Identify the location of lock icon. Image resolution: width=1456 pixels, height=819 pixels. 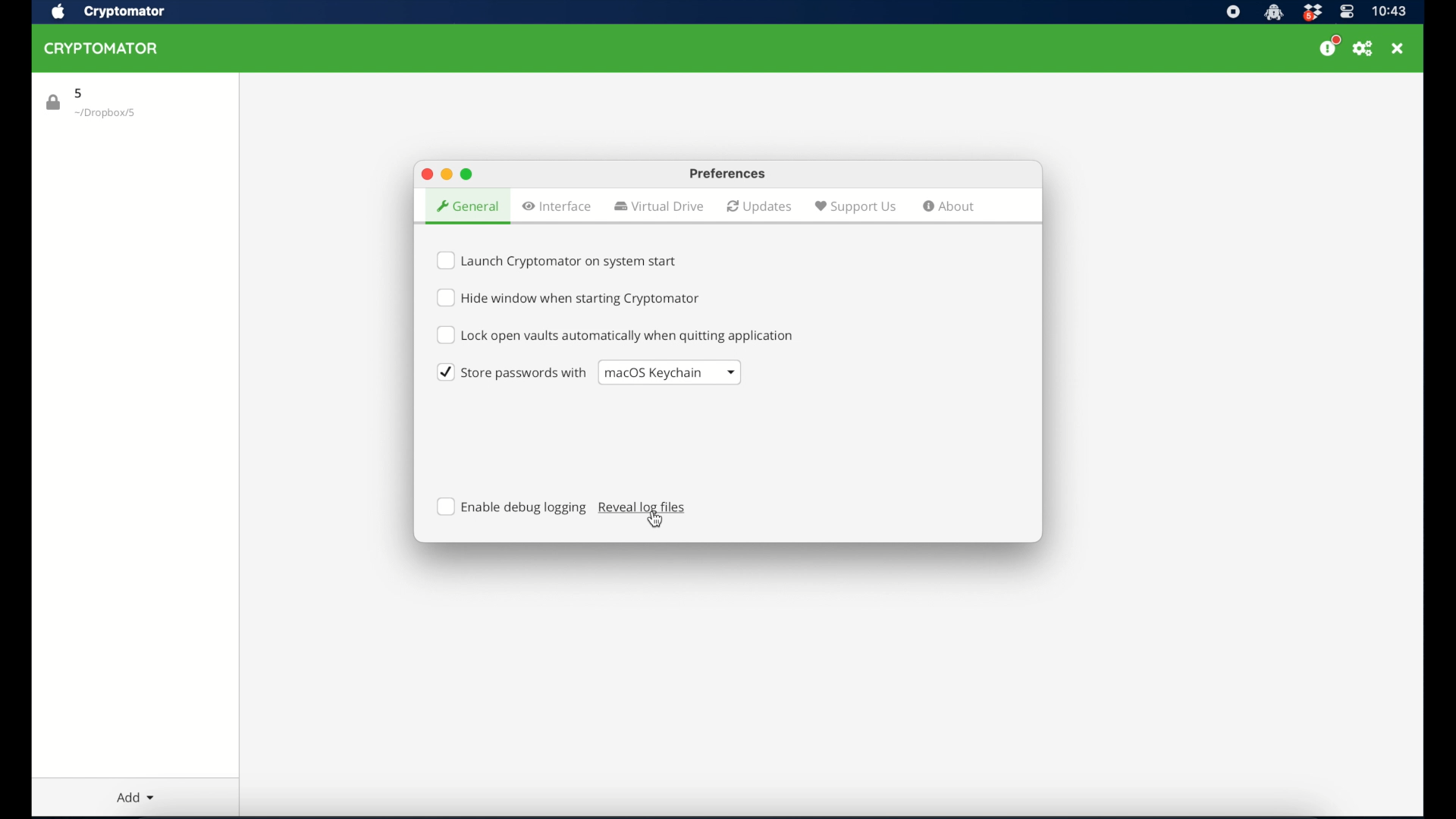
(54, 102).